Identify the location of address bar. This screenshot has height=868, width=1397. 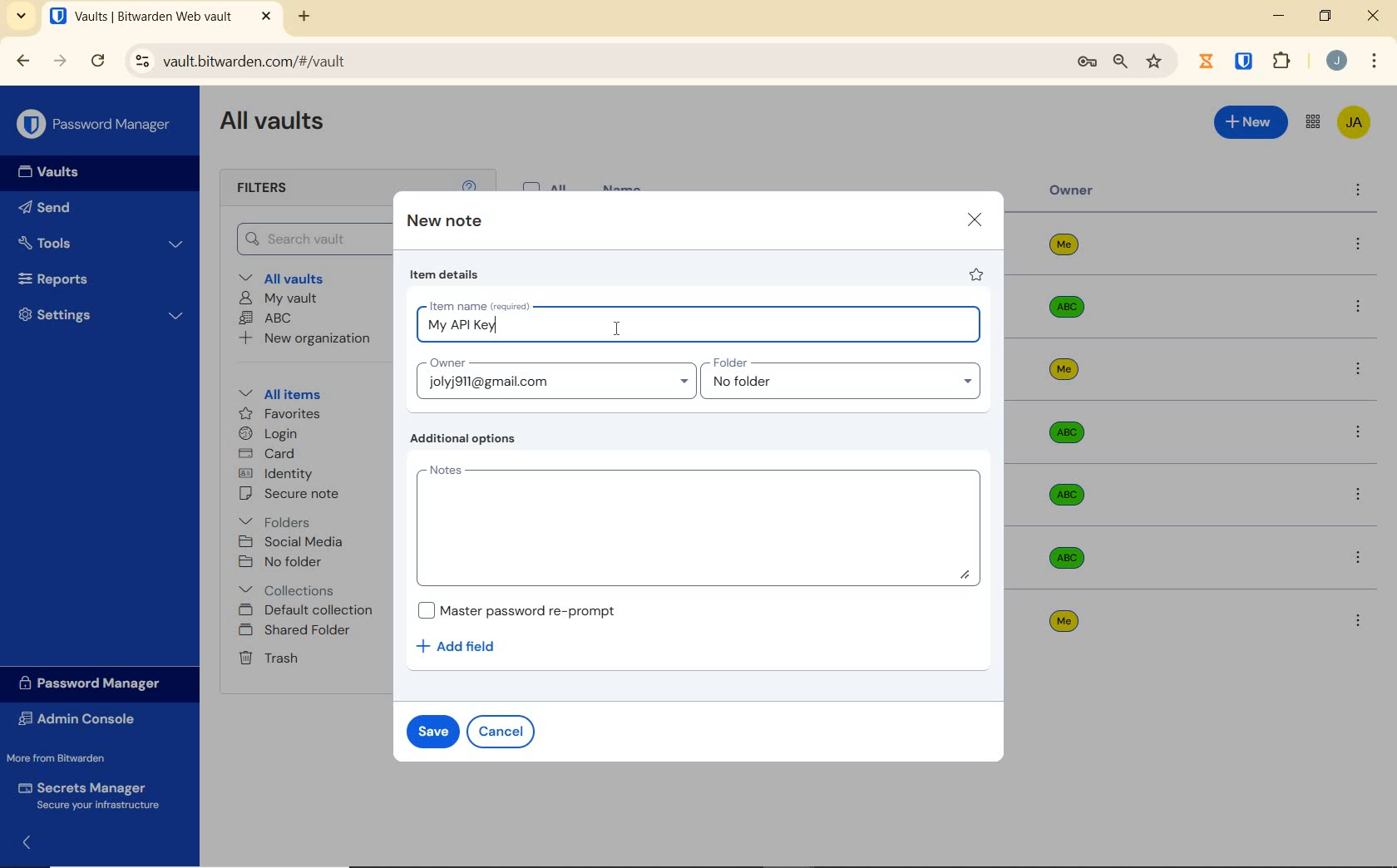
(589, 61).